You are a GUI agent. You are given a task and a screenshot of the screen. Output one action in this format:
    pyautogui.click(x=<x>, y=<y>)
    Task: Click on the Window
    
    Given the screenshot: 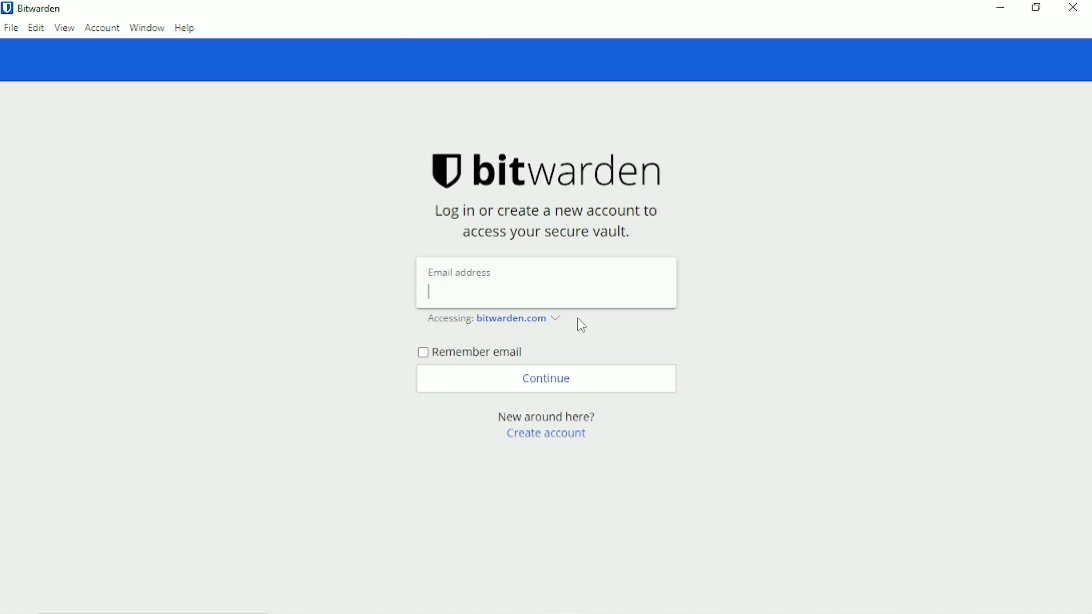 What is the action you would take?
    pyautogui.click(x=145, y=27)
    